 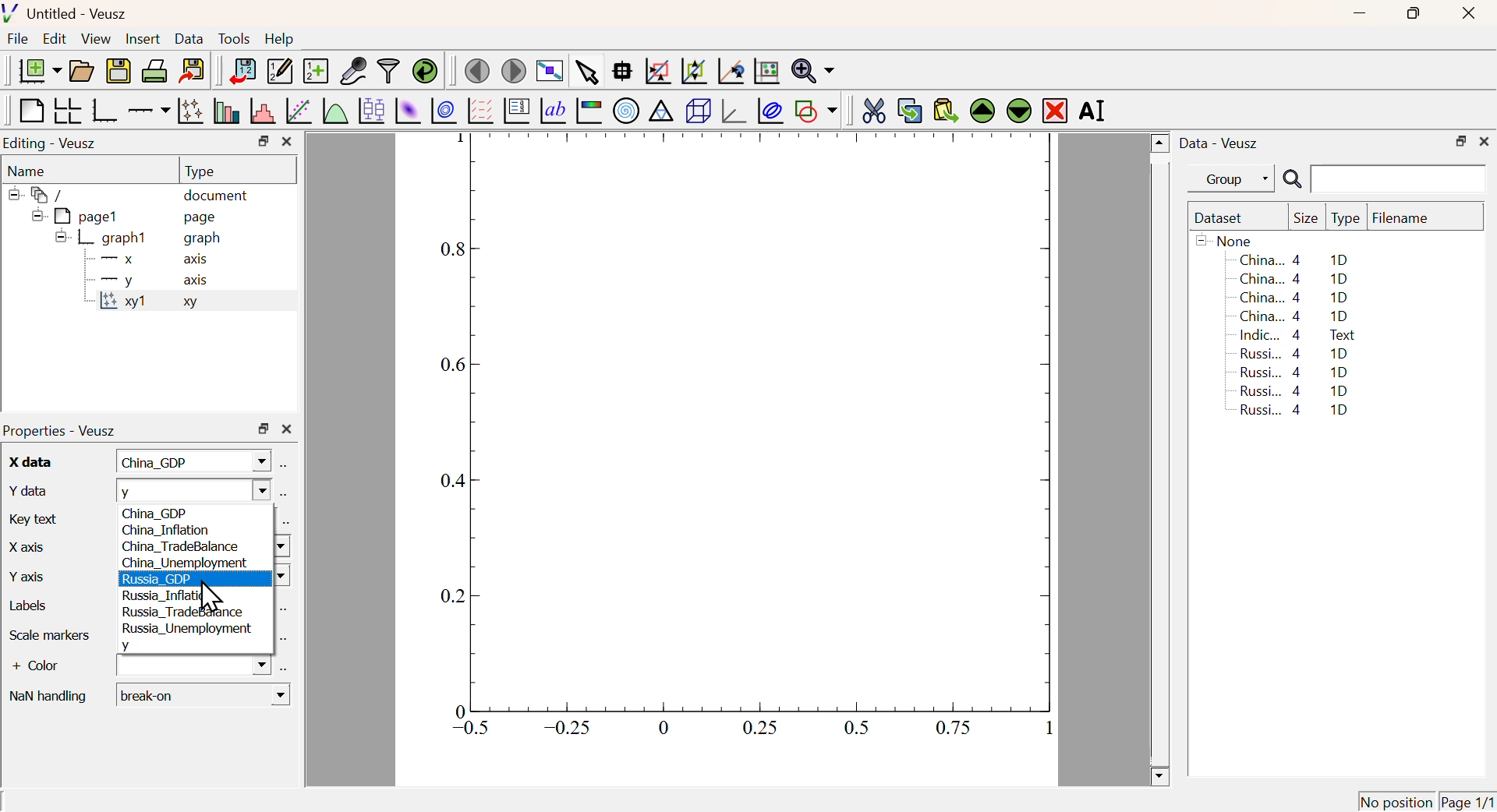 I want to click on Scroll, so click(x=1160, y=461).